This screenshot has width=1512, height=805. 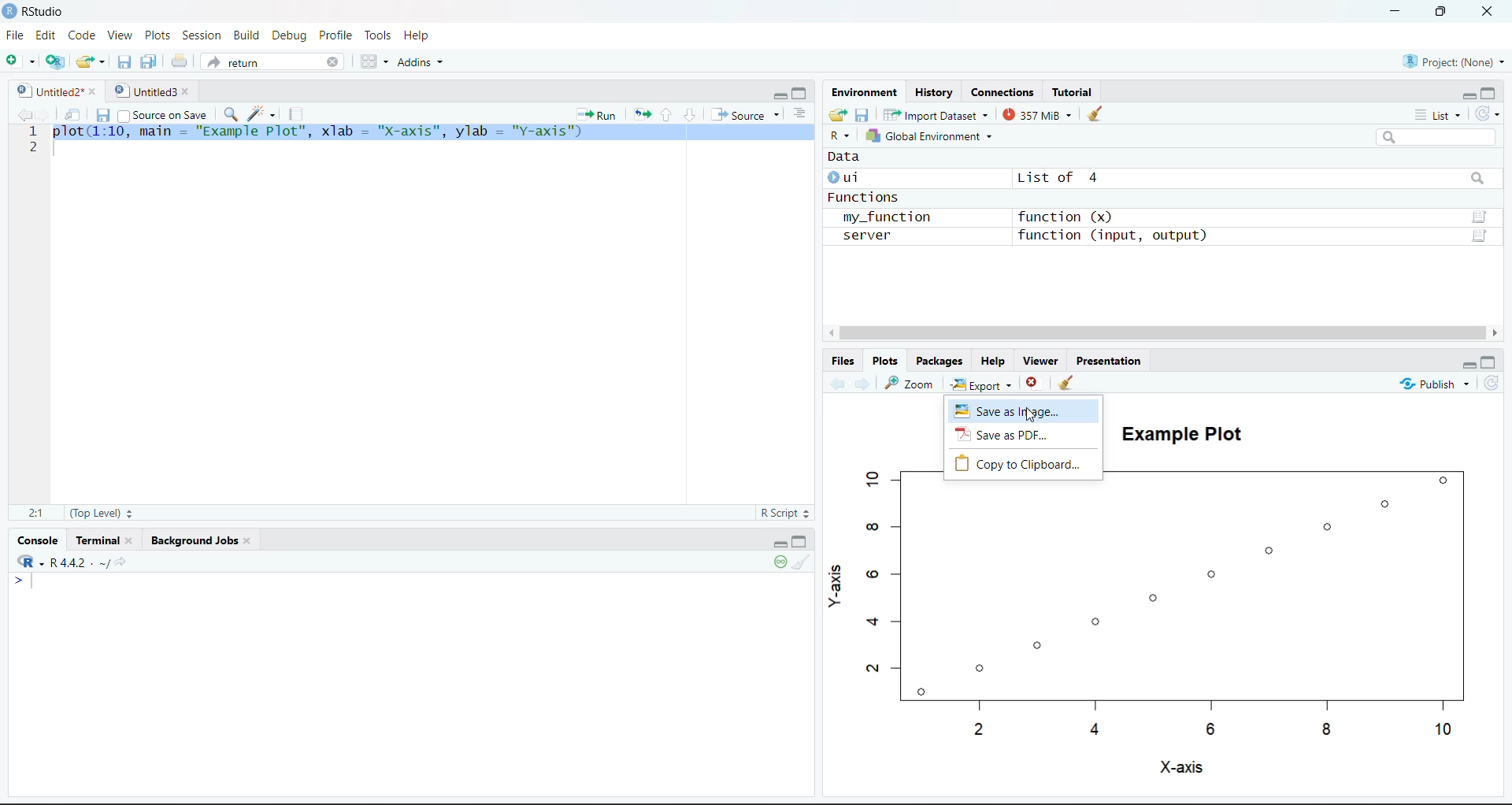 What do you see at coordinates (54, 87) in the screenshot?
I see `Untitled2*` at bounding box center [54, 87].